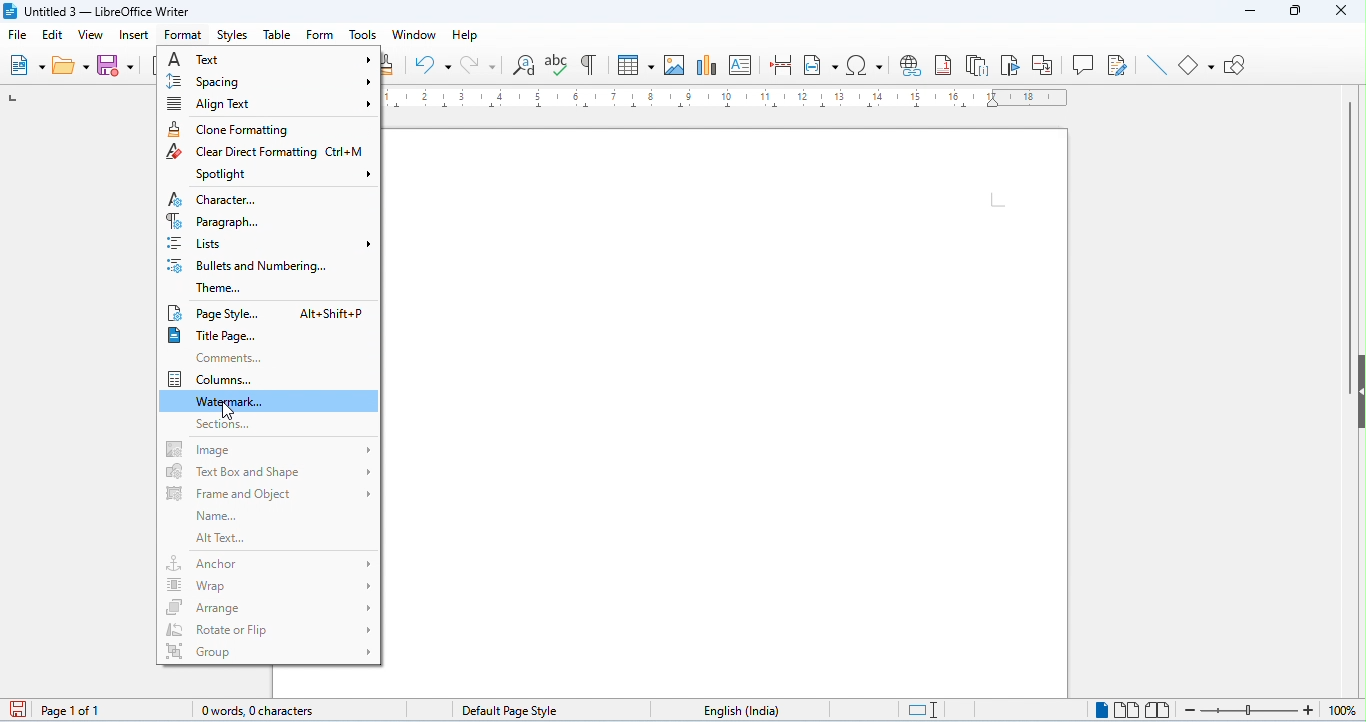 This screenshot has height=722, width=1366. Describe the element at coordinates (52, 35) in the screenshot. I see `edit` at that location.